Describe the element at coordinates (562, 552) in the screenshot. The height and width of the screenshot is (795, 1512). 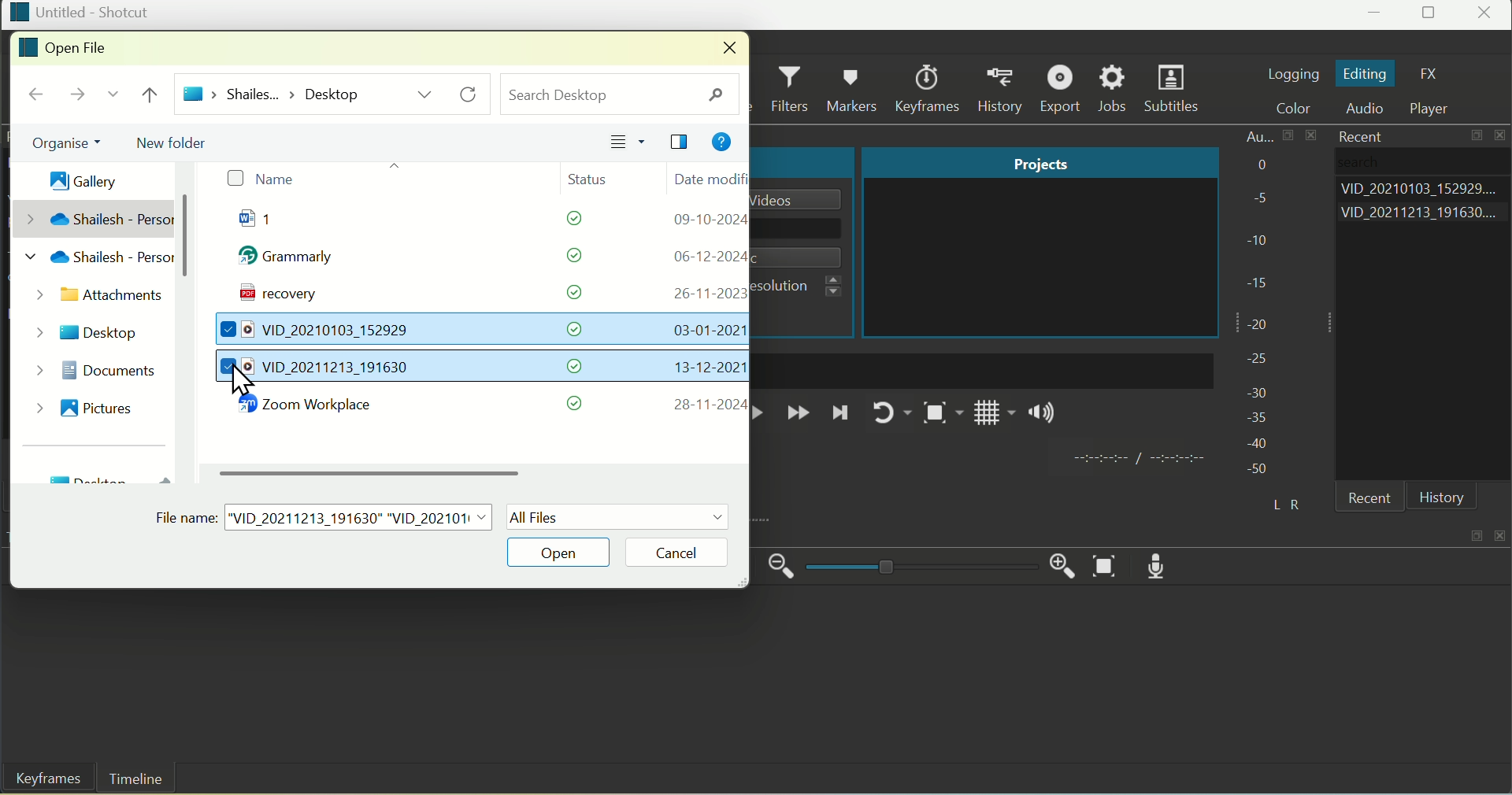
I see `Open` at that location.